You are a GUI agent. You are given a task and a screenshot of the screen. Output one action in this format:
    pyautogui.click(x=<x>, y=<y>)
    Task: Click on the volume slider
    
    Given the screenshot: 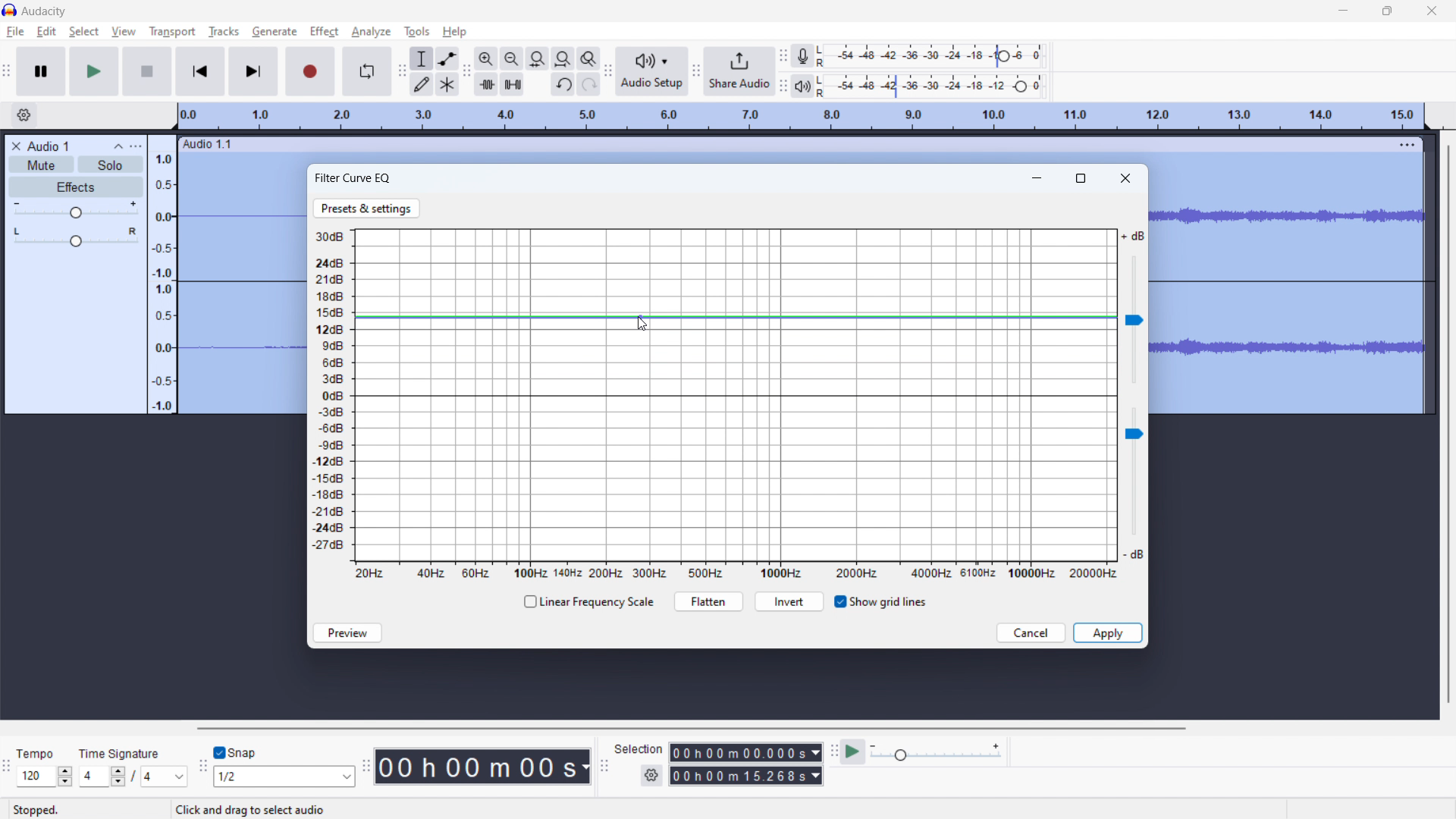 What is the action you would take?
    pyautogui.click(x=1132, y=486)
    